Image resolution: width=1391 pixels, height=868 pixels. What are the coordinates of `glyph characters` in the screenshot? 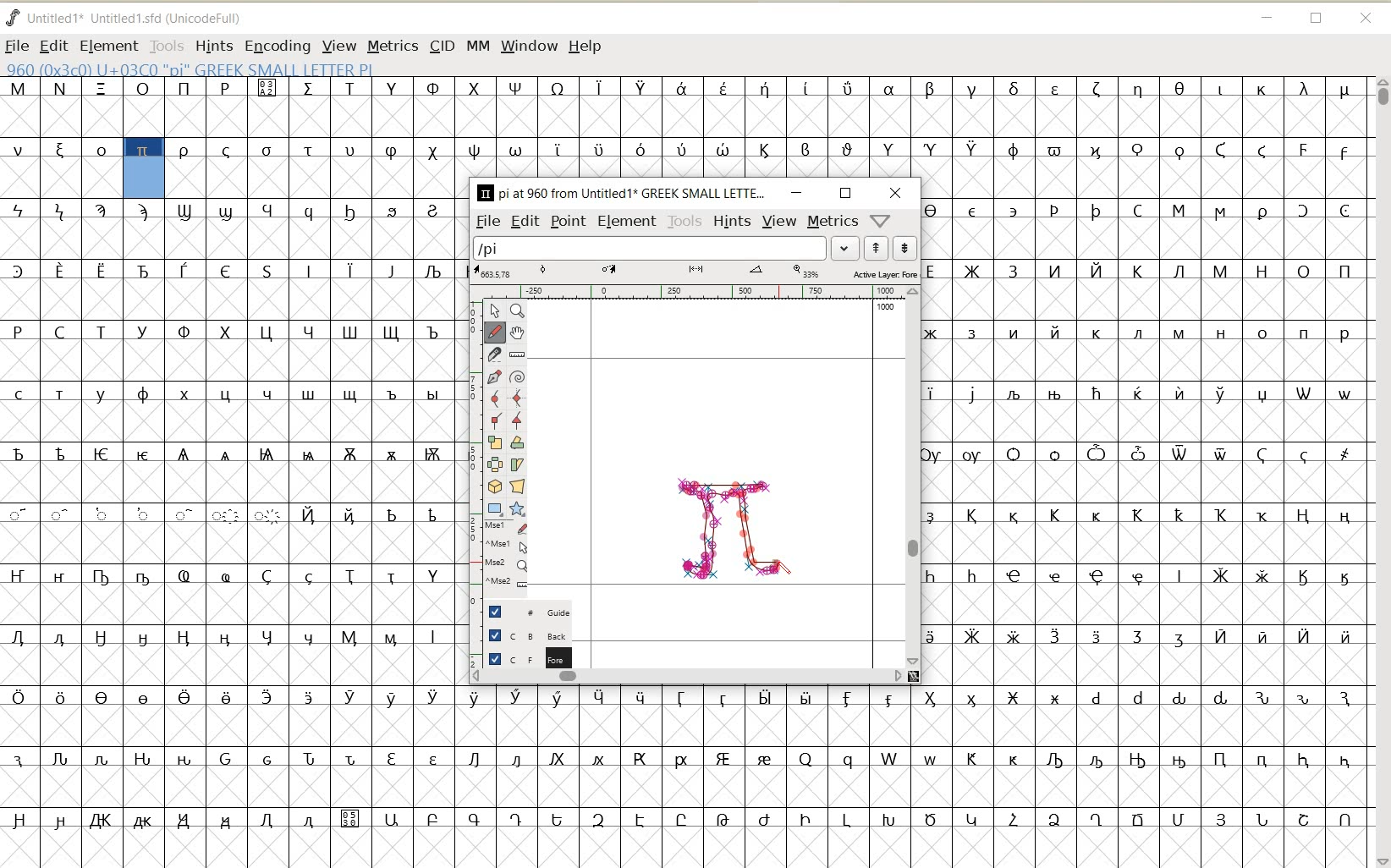 It's located at (1158, 442).